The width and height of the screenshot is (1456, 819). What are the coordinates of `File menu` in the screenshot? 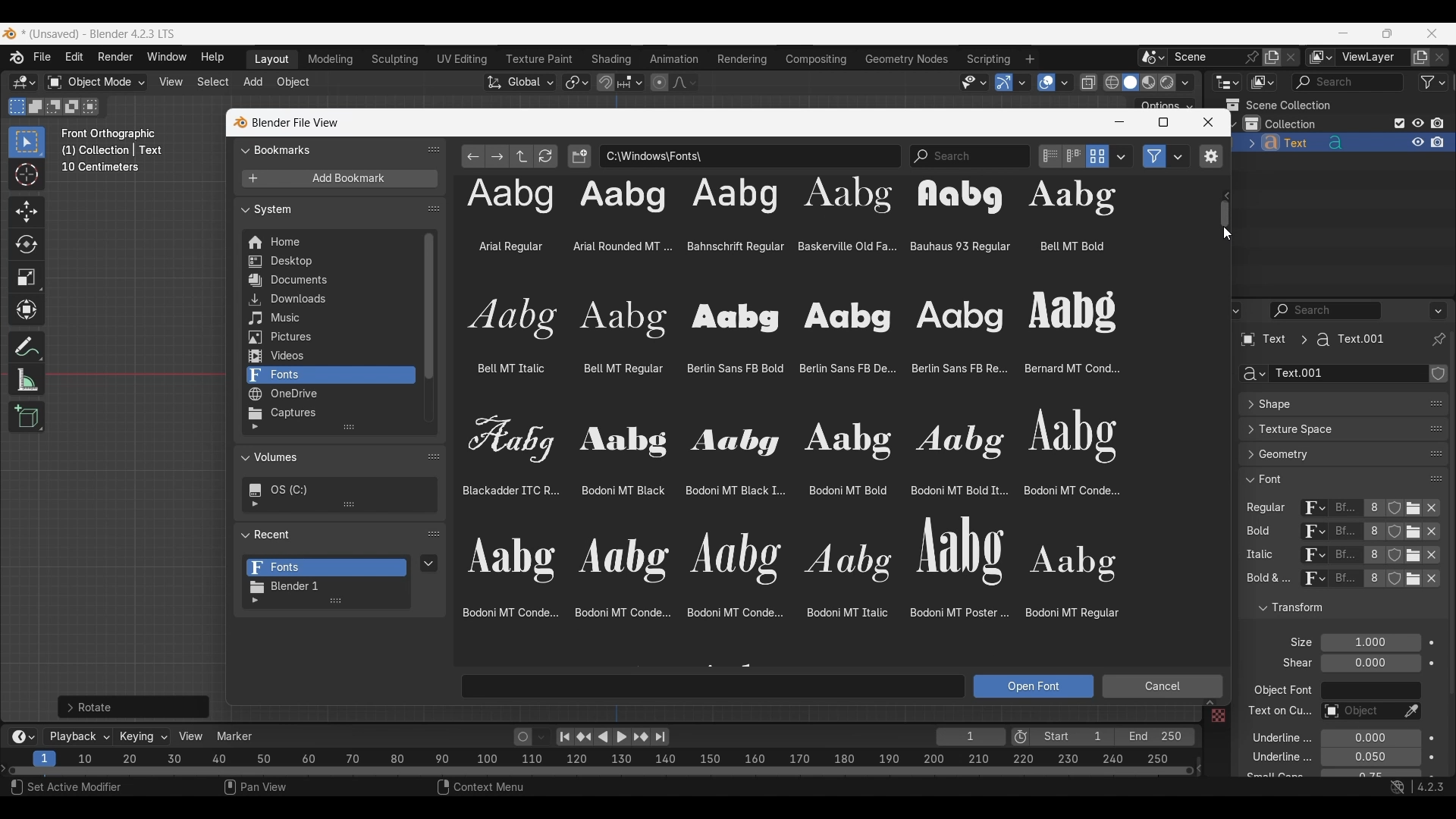 It's located at (43, 58).